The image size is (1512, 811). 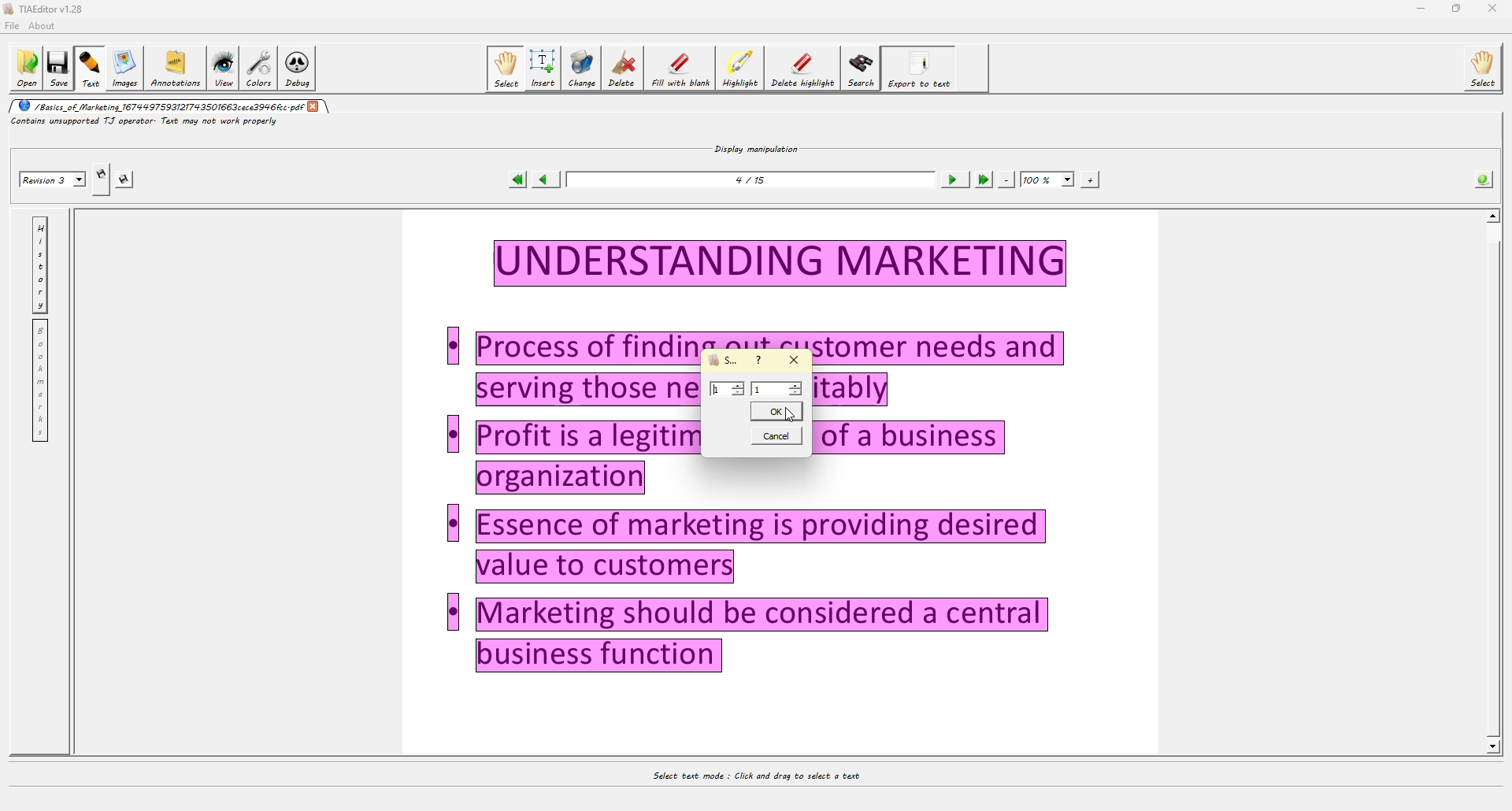 I want to click on select, so click(x=502, y=67).